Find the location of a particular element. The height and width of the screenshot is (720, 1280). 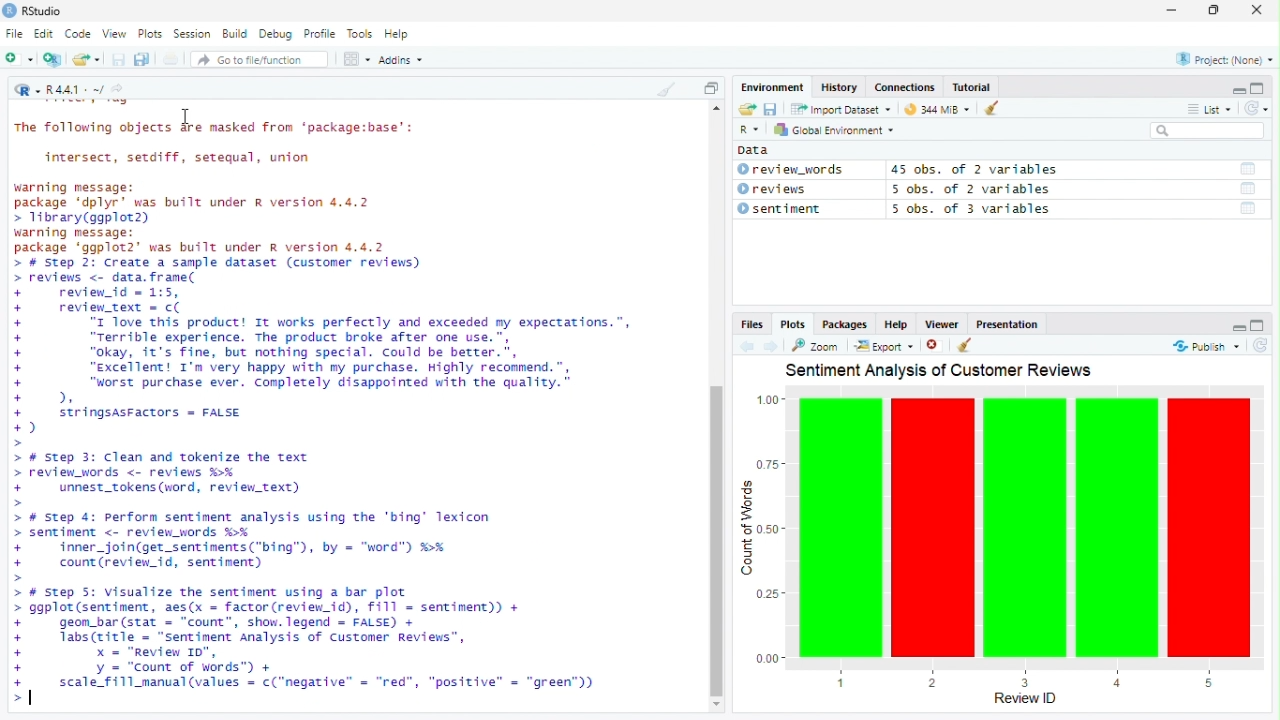

Clean is located at coordinates (665, 88).